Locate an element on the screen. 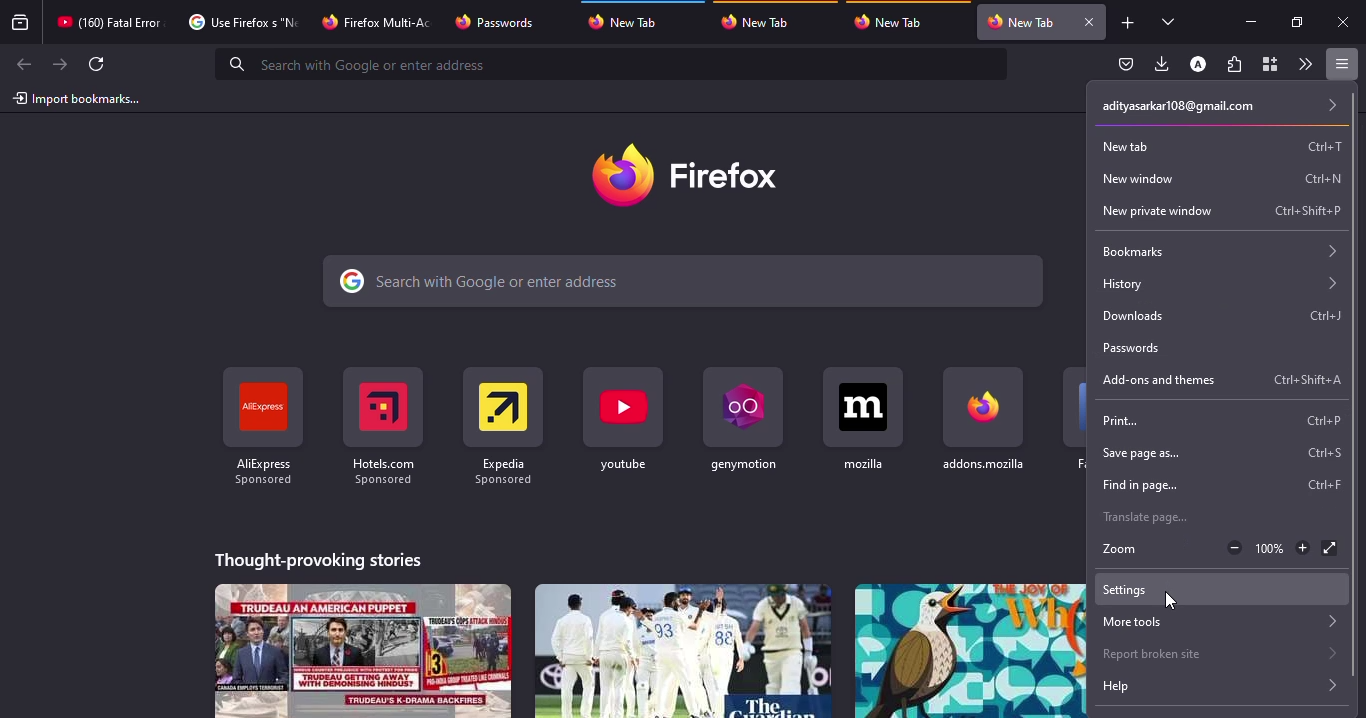 Image resolution: width=1366 pixels, height=718 pixels. stories is located at coordinates (681, 650).